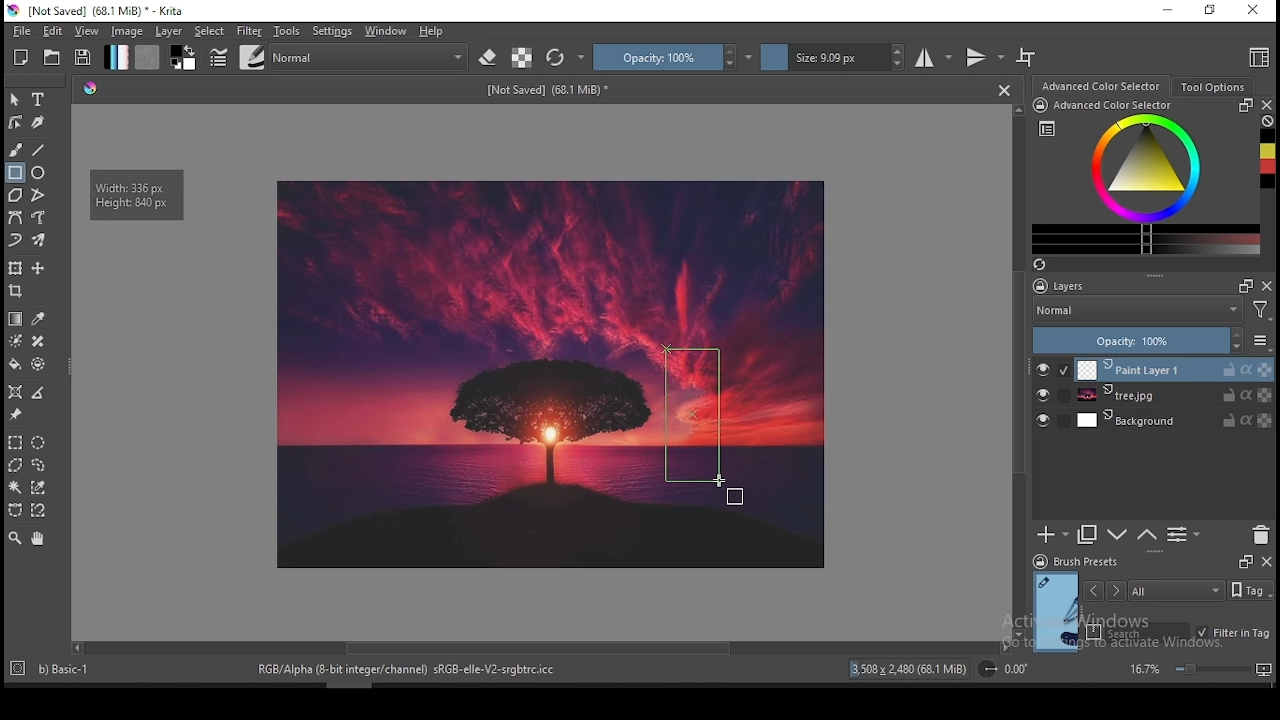 This screenshot has width=1280, height=720. Describe the element at coordinates (1145, 535) in the screenshot. I see `move layer one step up` at that location.